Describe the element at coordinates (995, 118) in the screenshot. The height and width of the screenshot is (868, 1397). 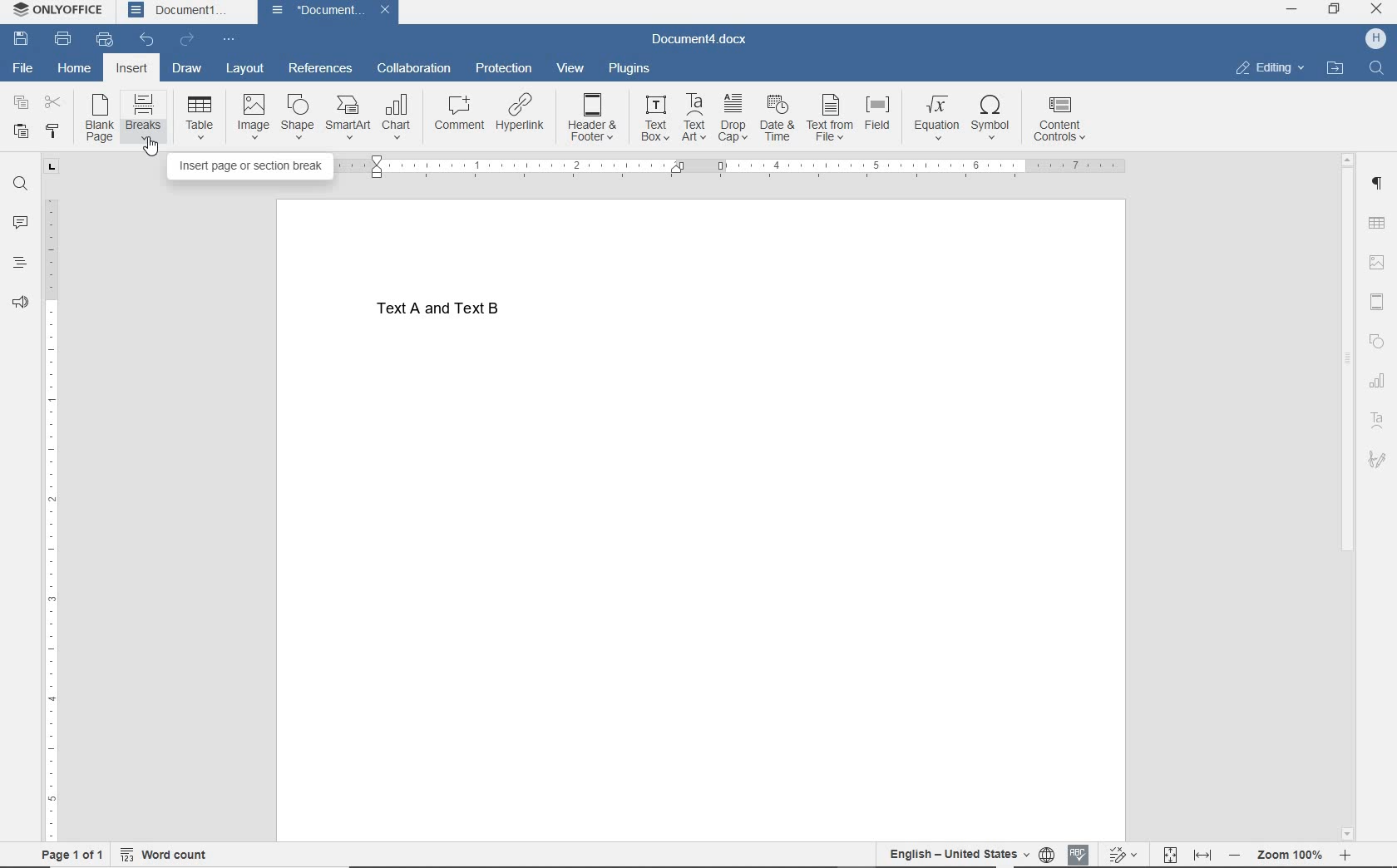
I see `SYMBOL` at that location.